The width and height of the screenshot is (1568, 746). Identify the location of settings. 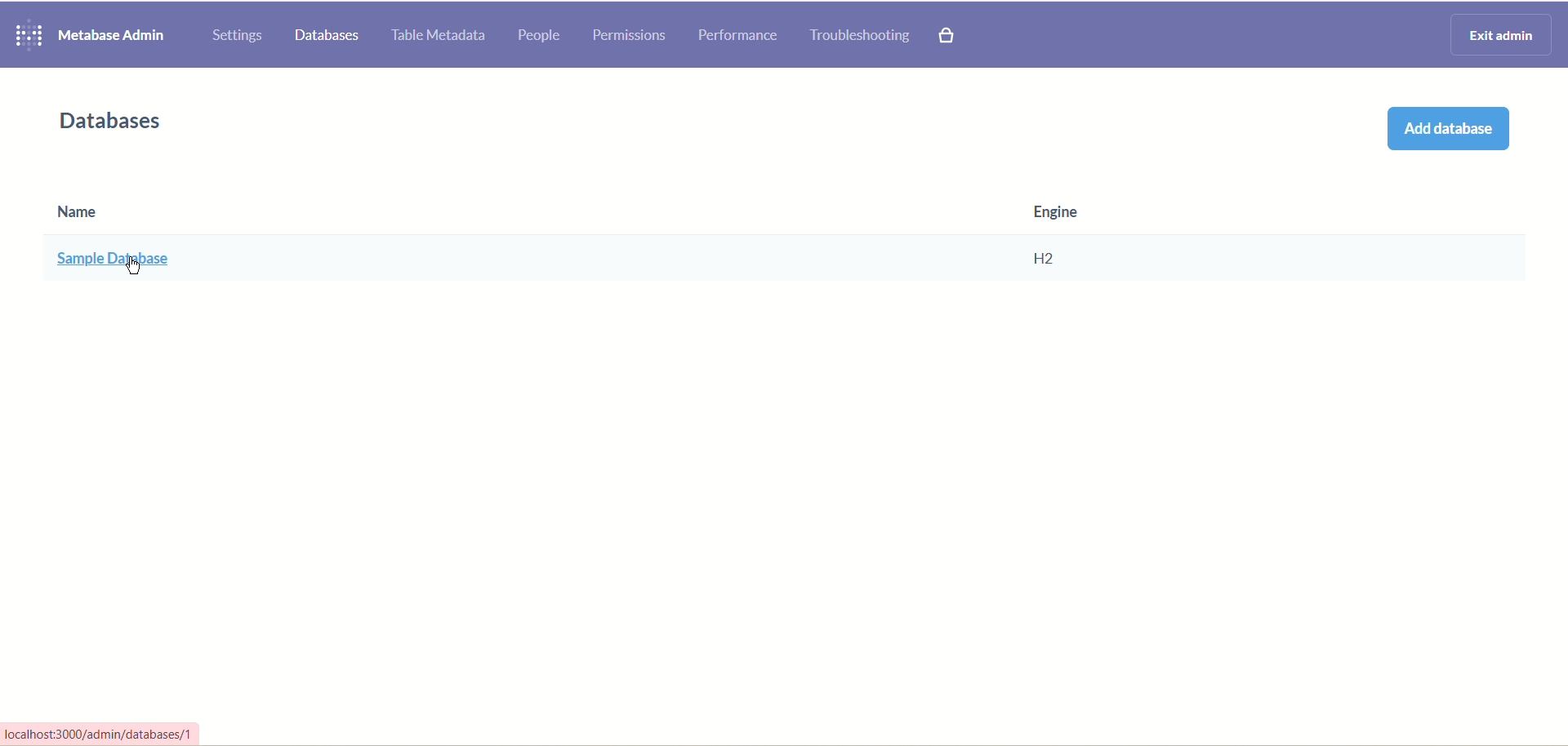
(238, 35).